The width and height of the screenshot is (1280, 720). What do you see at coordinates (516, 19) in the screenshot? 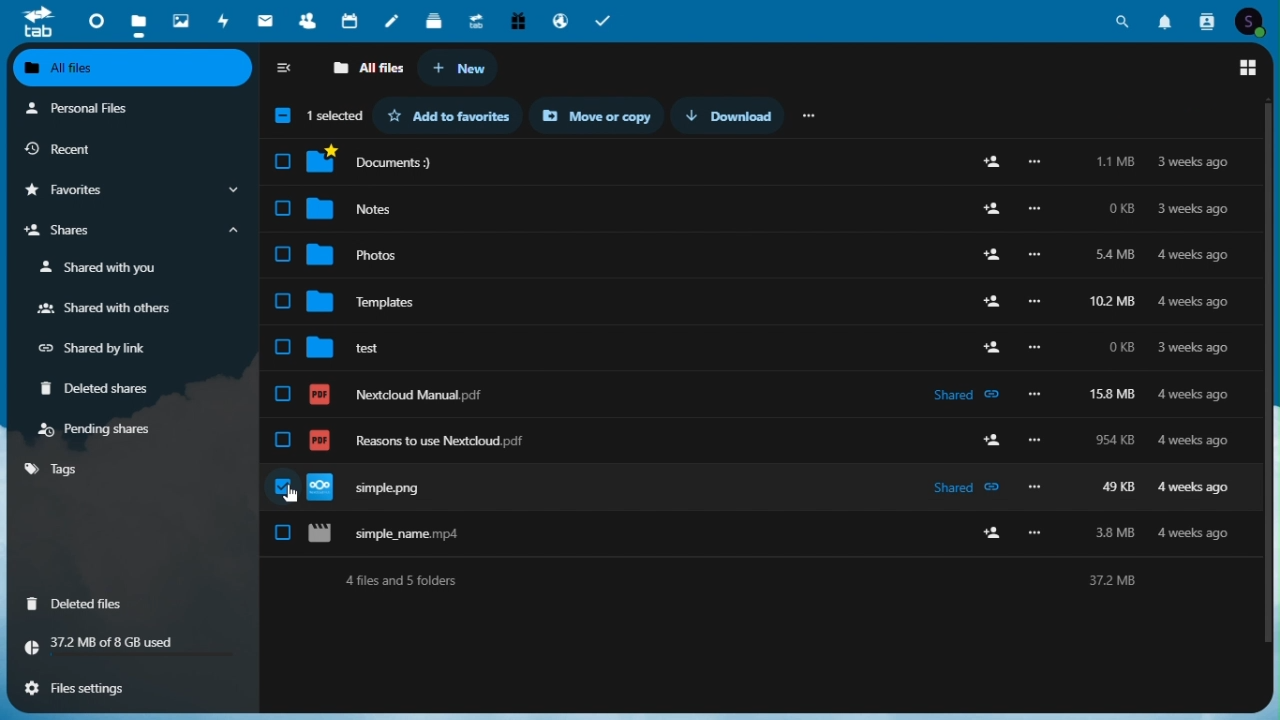
I see `free trial` at bounding box center [516, 19].